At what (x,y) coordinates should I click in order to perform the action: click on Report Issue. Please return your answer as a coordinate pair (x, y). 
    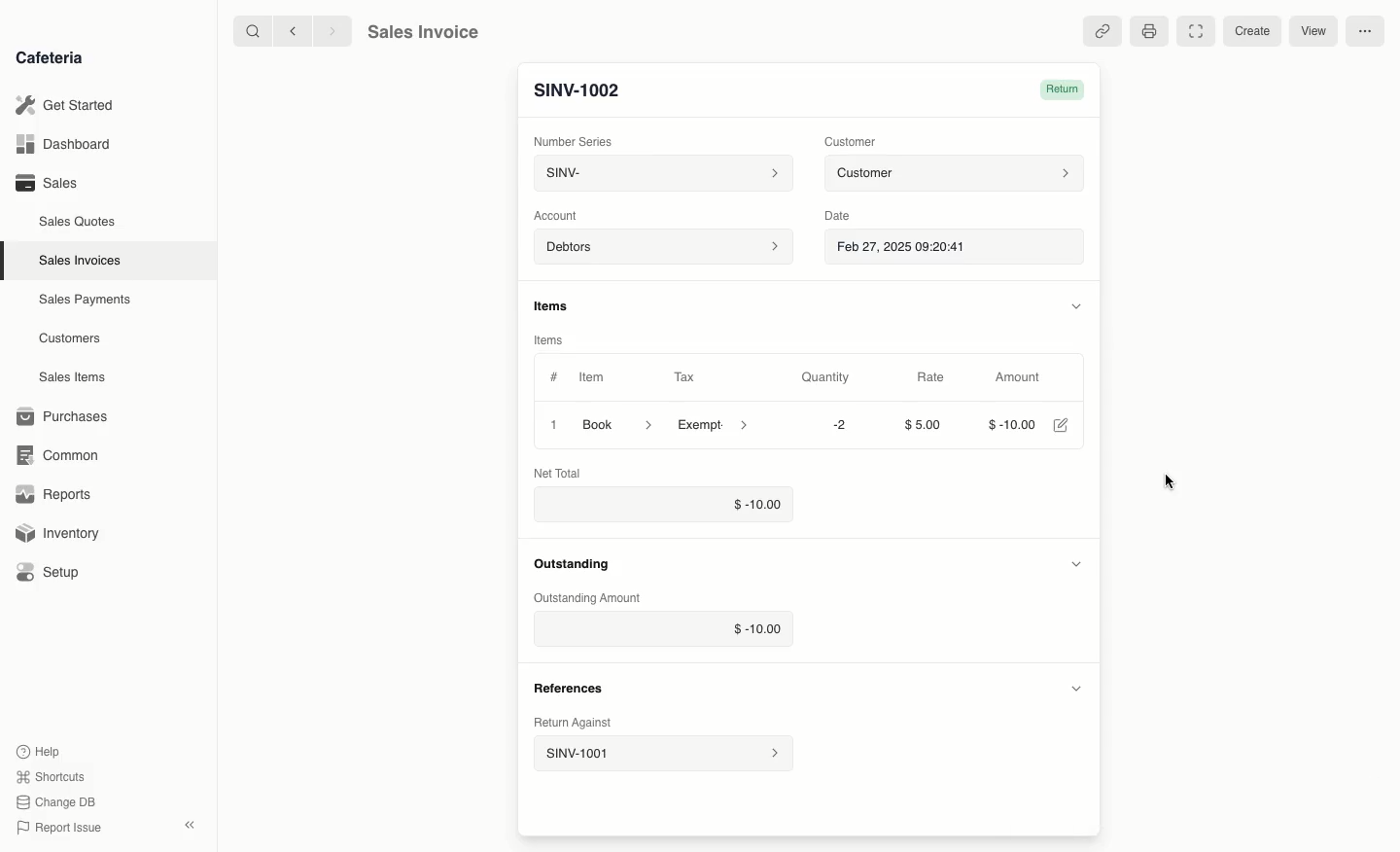
    Looking at the image, I should click on (63, 826).